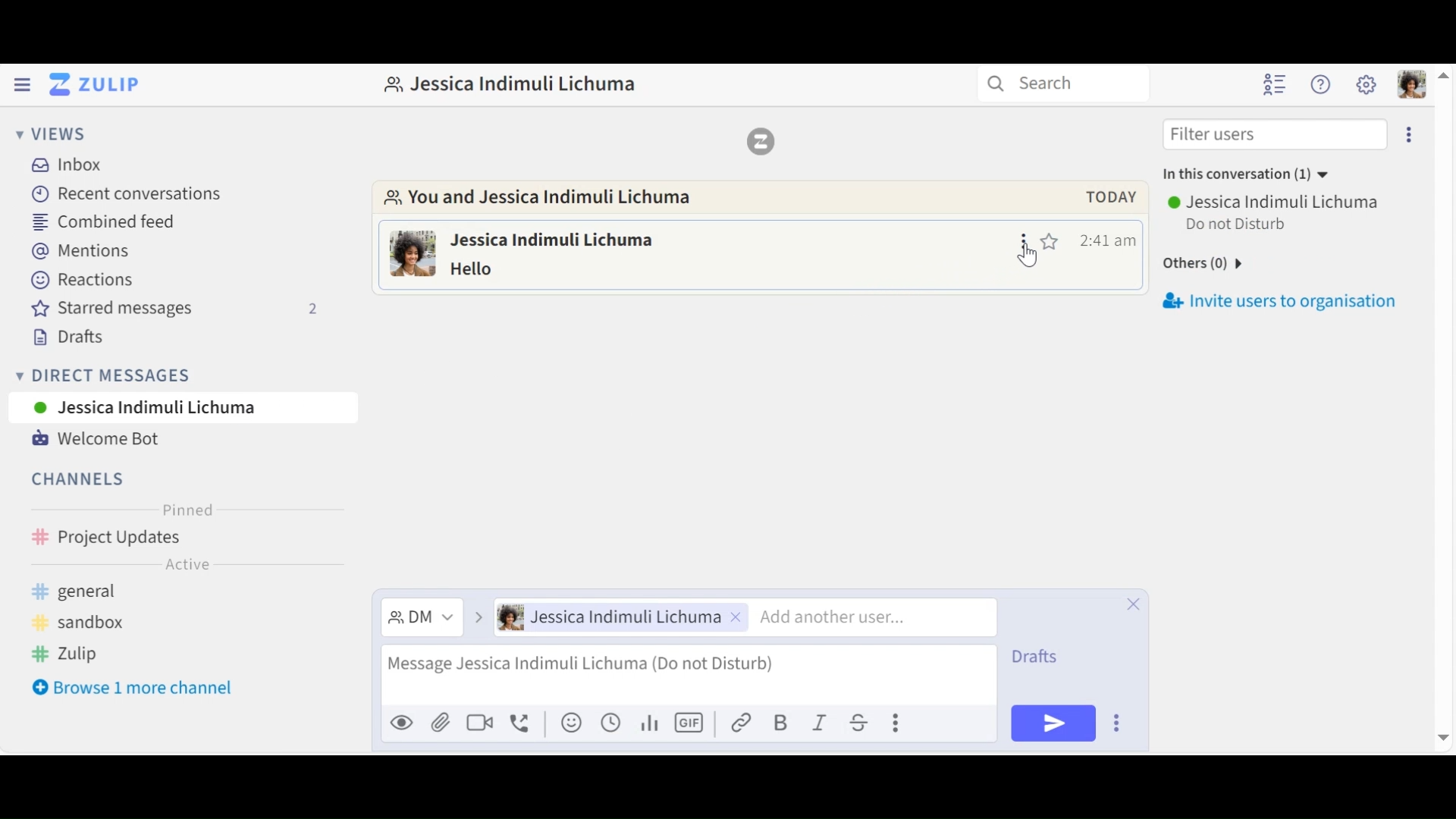  Describe the element at coordinates (899, 721) in the screenshot. I see `Compose actions` at that location.